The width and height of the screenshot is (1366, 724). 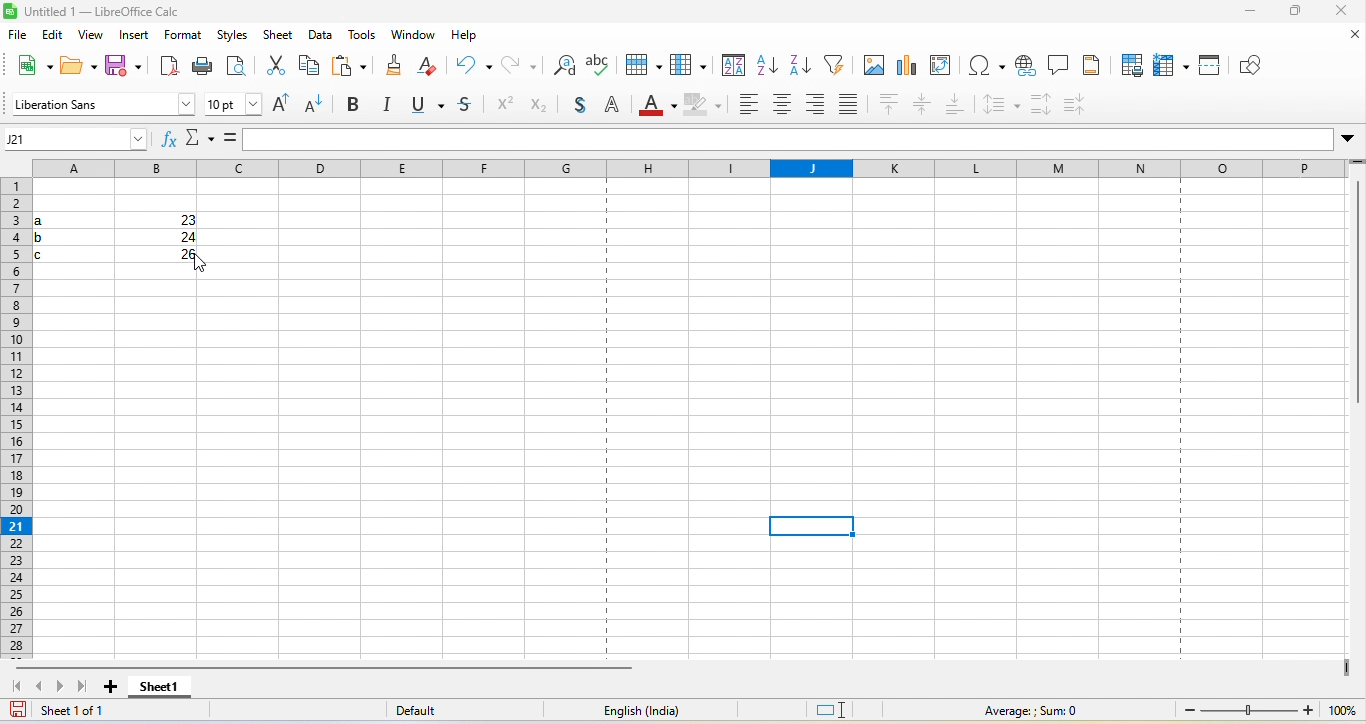 I want to click on sheet 1, so click(x=161, y=690).